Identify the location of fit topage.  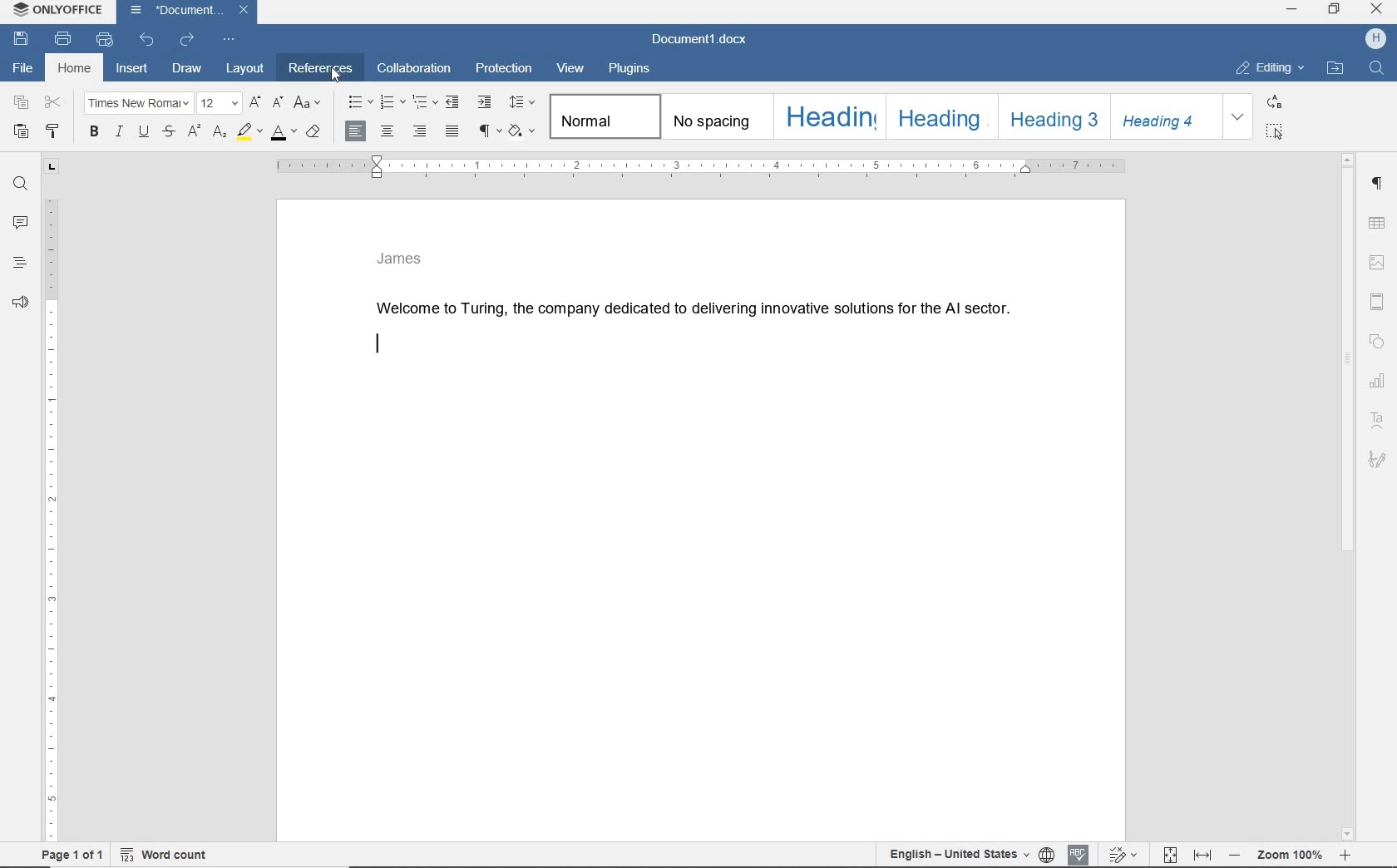
(1169, 855).